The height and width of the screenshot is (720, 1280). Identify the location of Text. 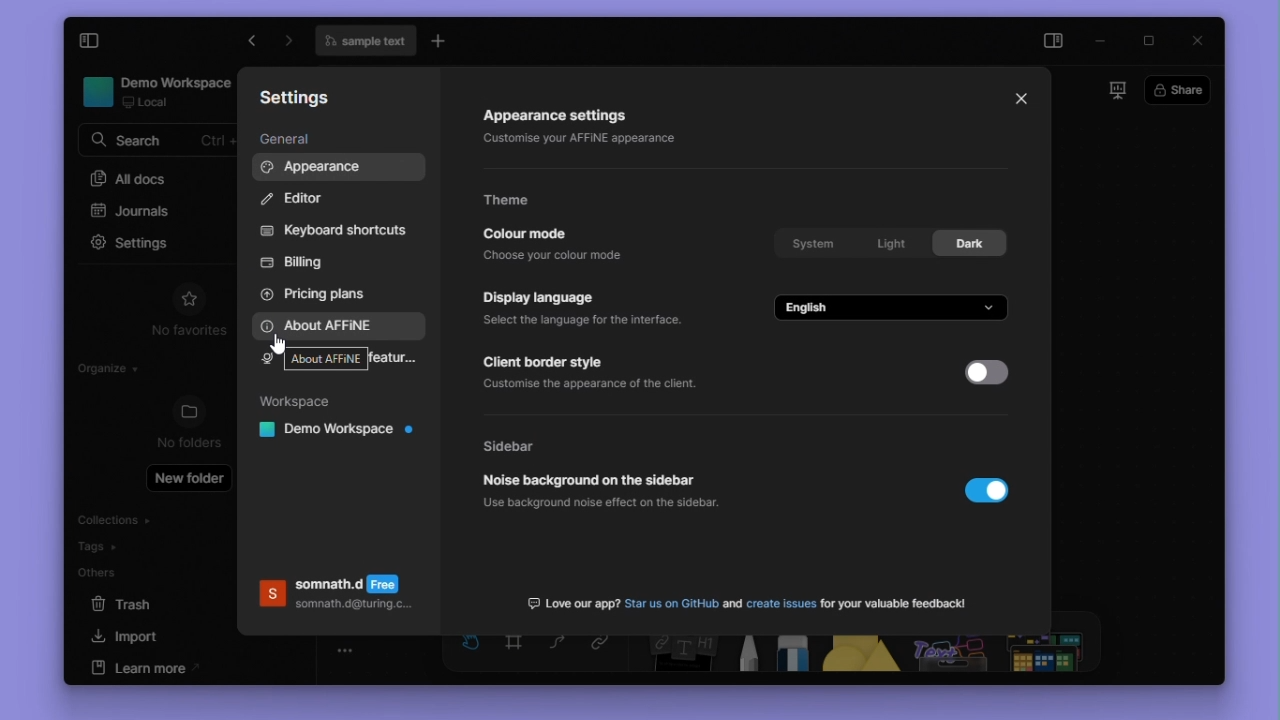
(747, 600).